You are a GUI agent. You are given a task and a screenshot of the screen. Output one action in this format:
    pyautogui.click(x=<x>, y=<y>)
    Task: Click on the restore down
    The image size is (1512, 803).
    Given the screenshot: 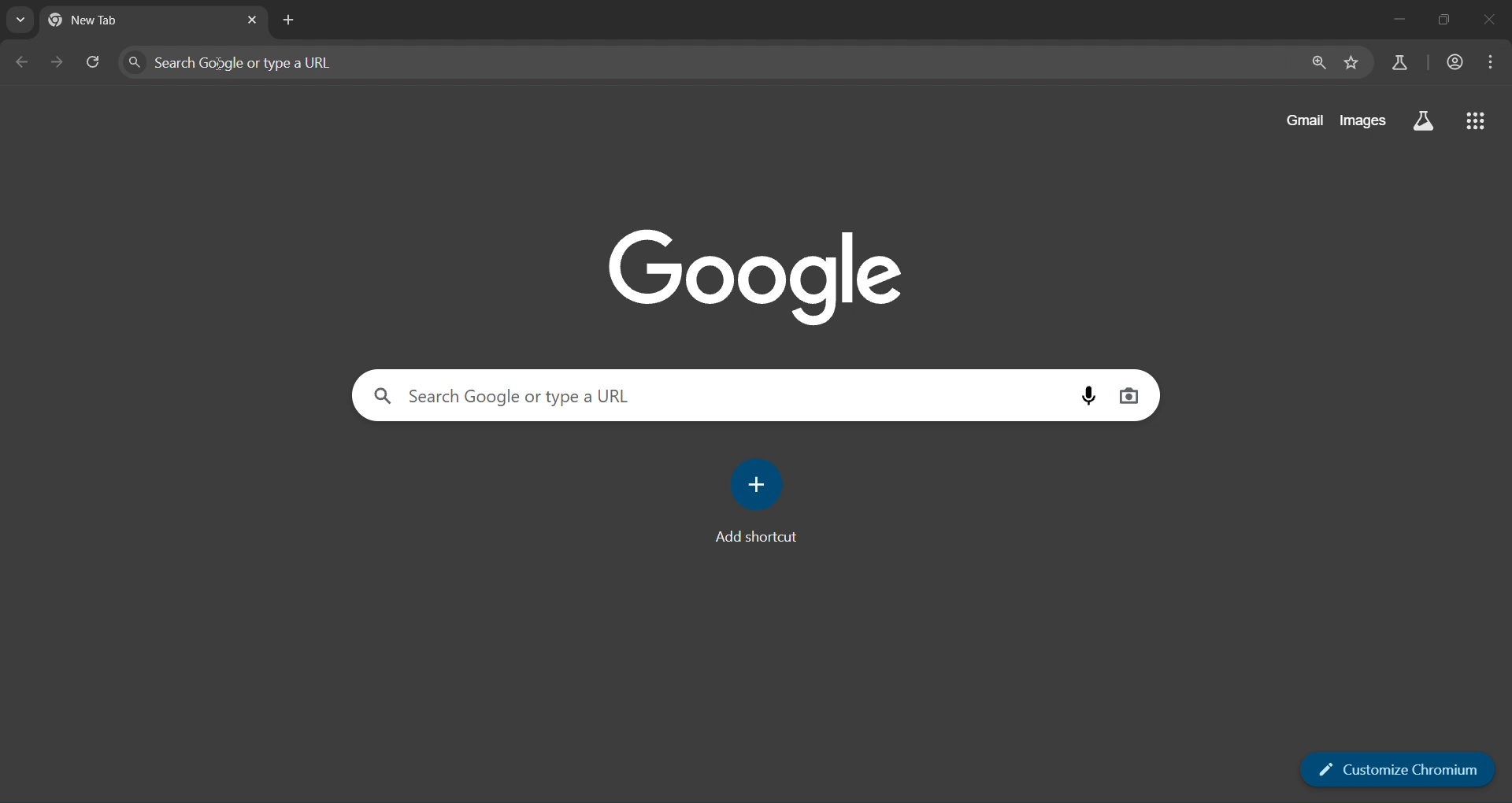 What is the action you would take?
    pyautogui.click(x=1440, y=19)
    